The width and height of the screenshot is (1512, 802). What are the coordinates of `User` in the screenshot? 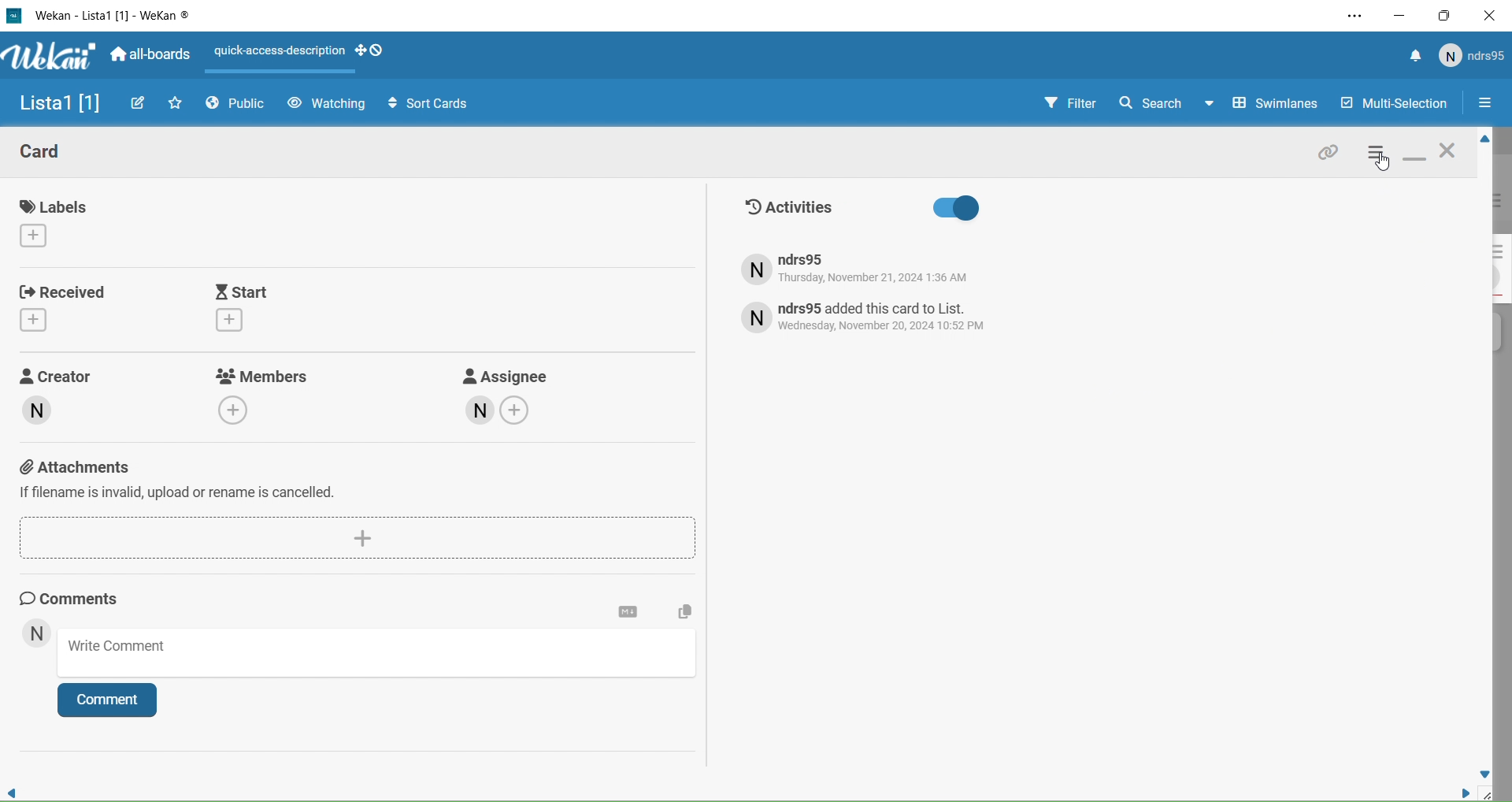 It's located at (39, 633).